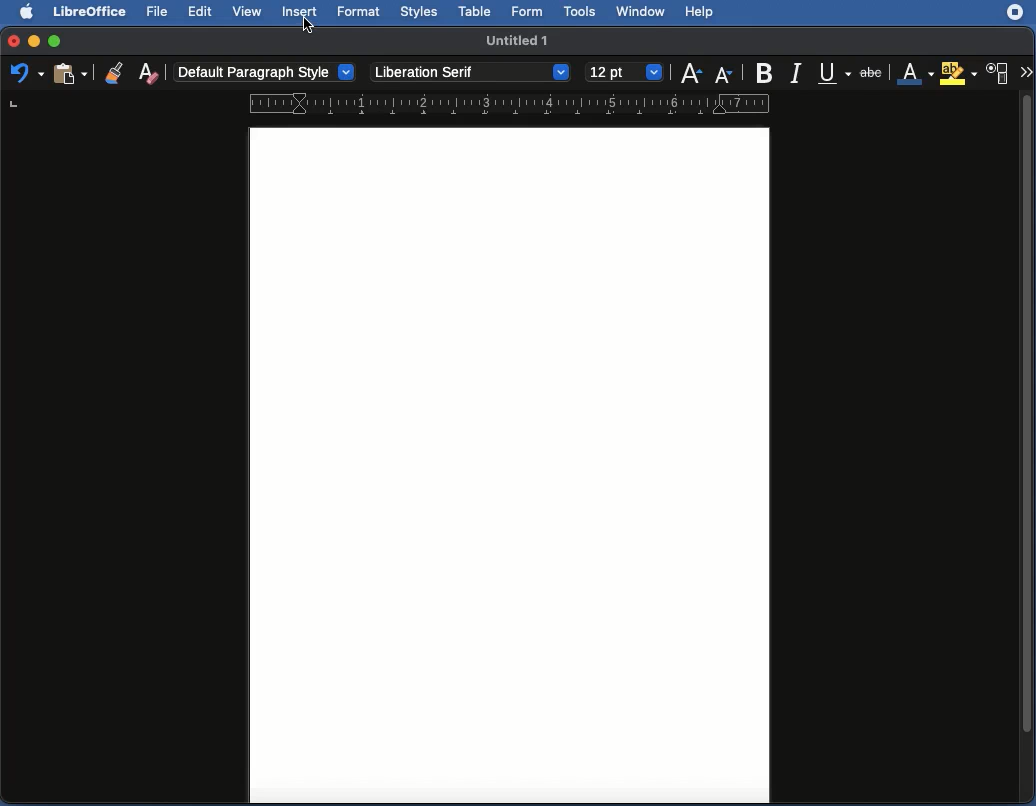  I want to click on Maximize, so click(54, 39).